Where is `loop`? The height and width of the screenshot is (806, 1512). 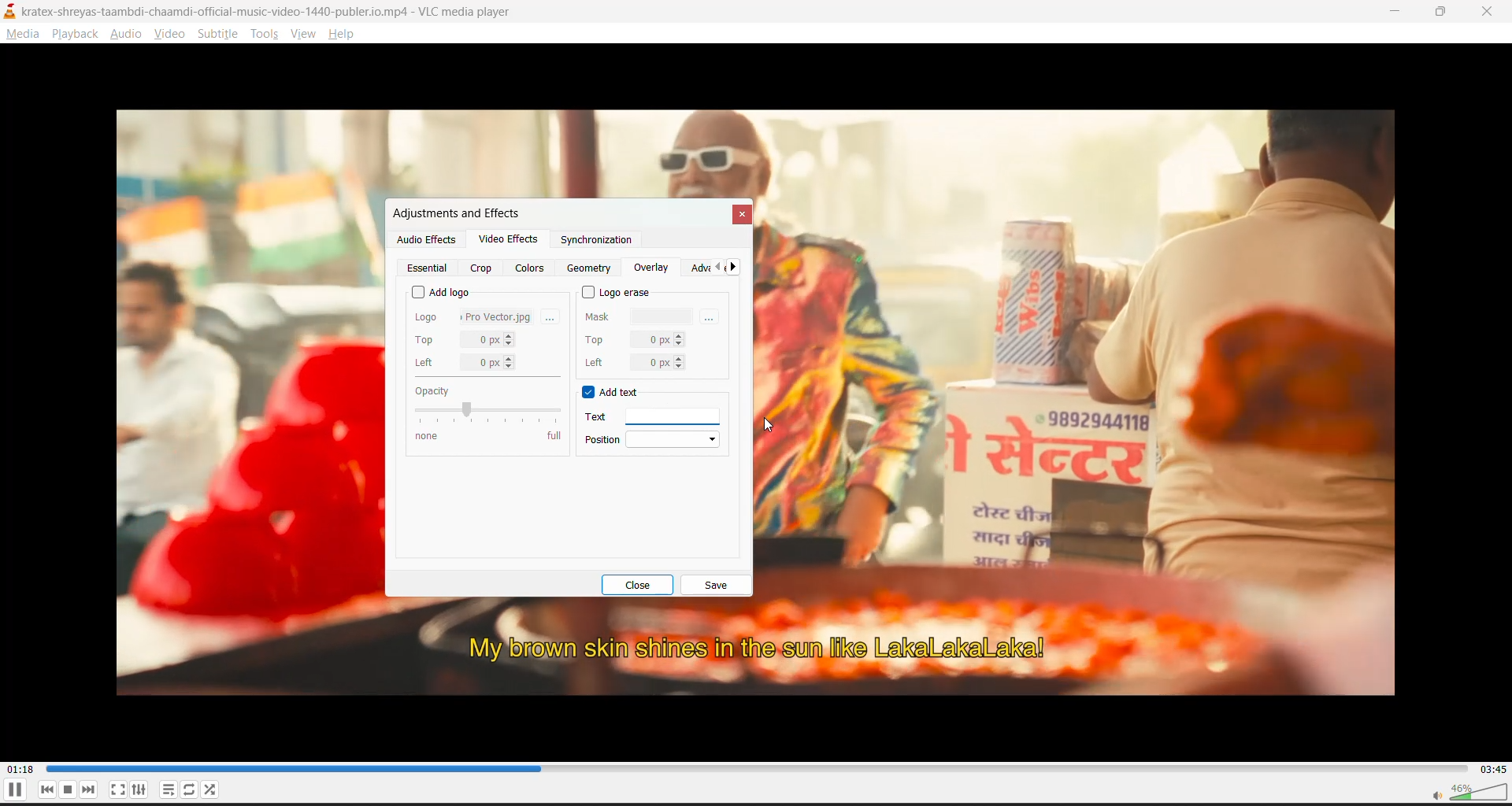
loop is located at coordinates (189, 790).